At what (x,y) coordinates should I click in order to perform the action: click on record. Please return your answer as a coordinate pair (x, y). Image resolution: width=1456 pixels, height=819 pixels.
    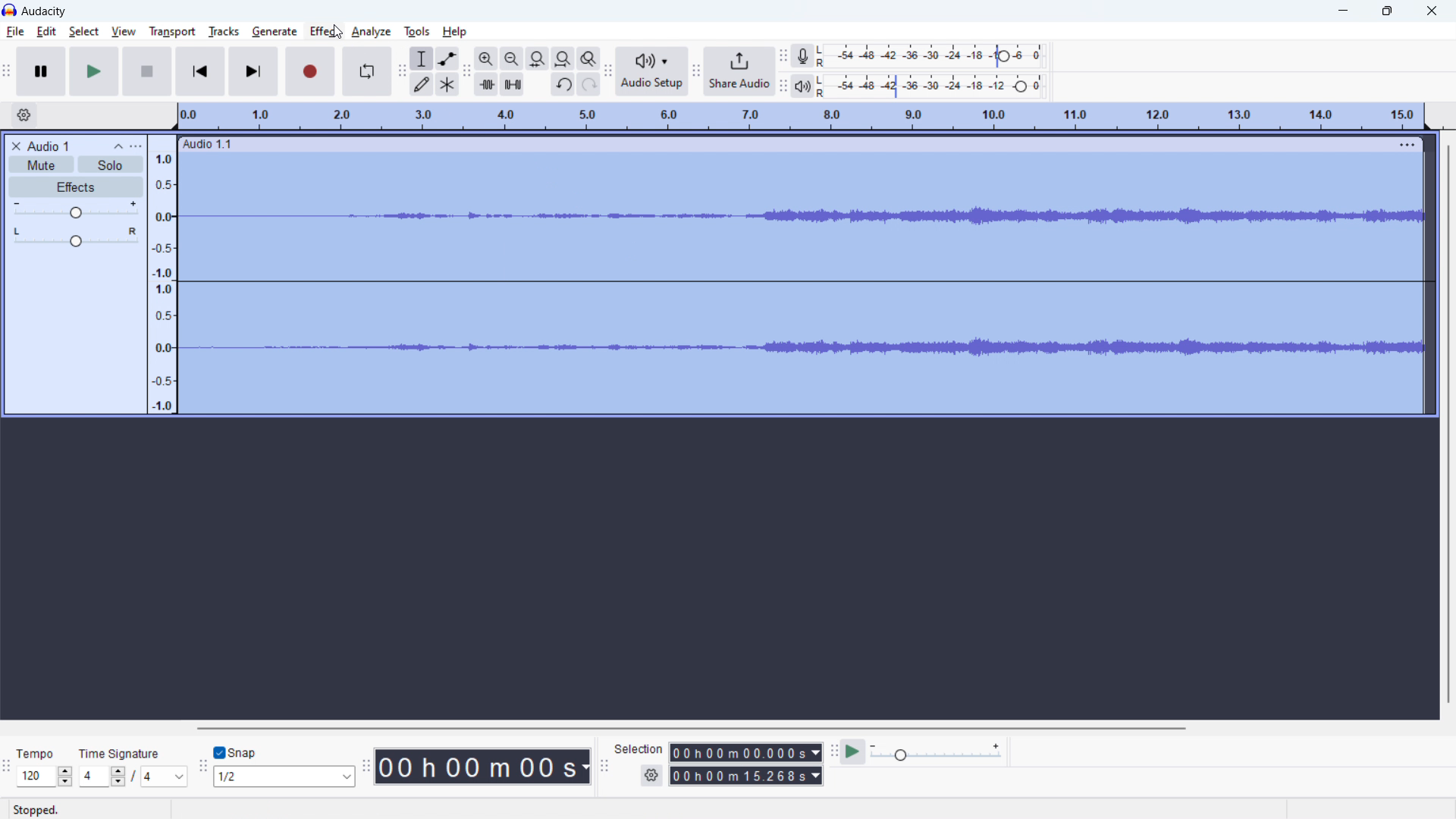
    Looking at the image, I should click on (311, 71).